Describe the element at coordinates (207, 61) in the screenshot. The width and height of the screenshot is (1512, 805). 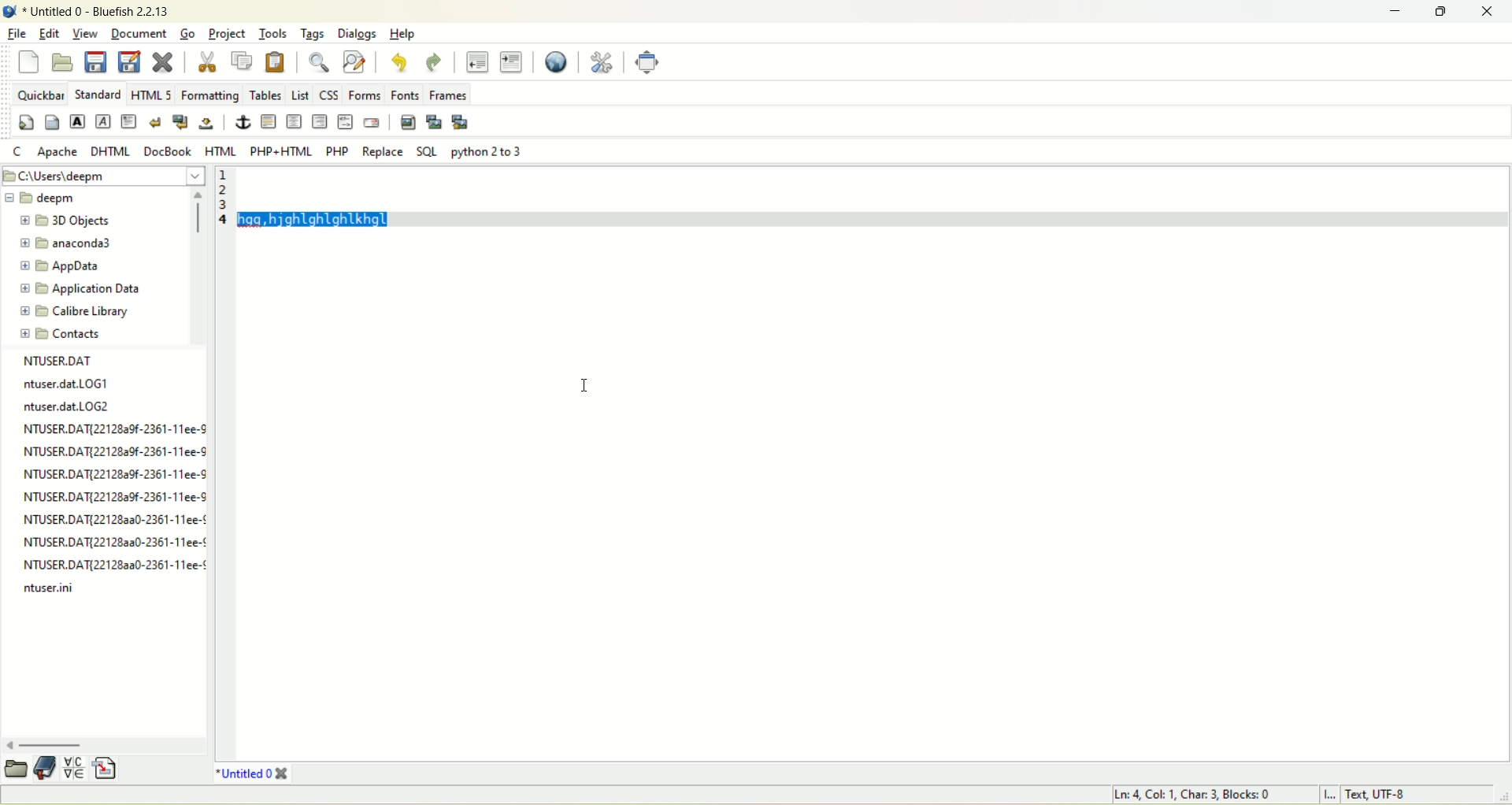
I see `cut` at that location.